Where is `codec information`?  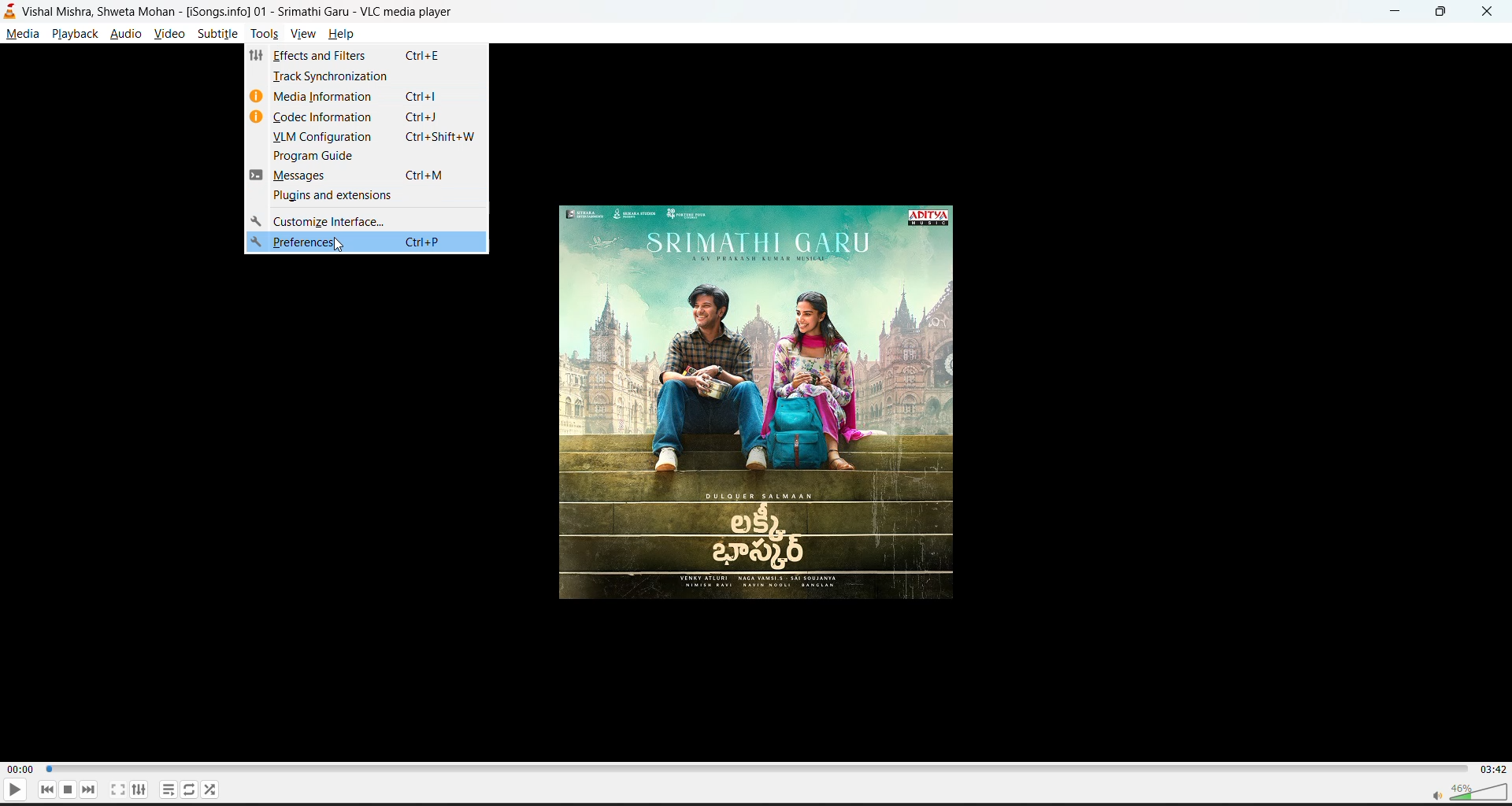 codec information is located at coordinates (368, 116).